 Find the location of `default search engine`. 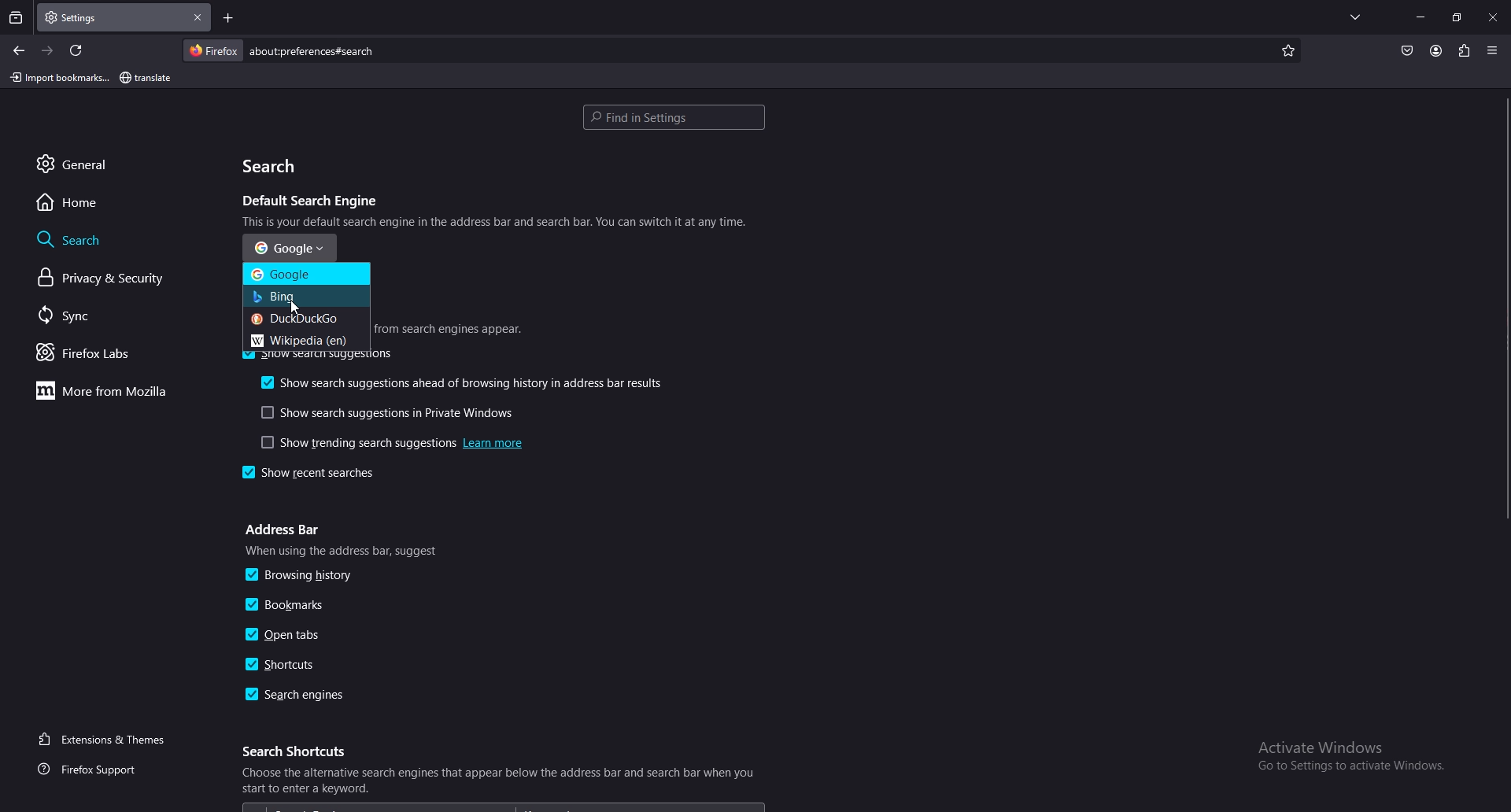

default search engine is located at coordinates (314, 202).